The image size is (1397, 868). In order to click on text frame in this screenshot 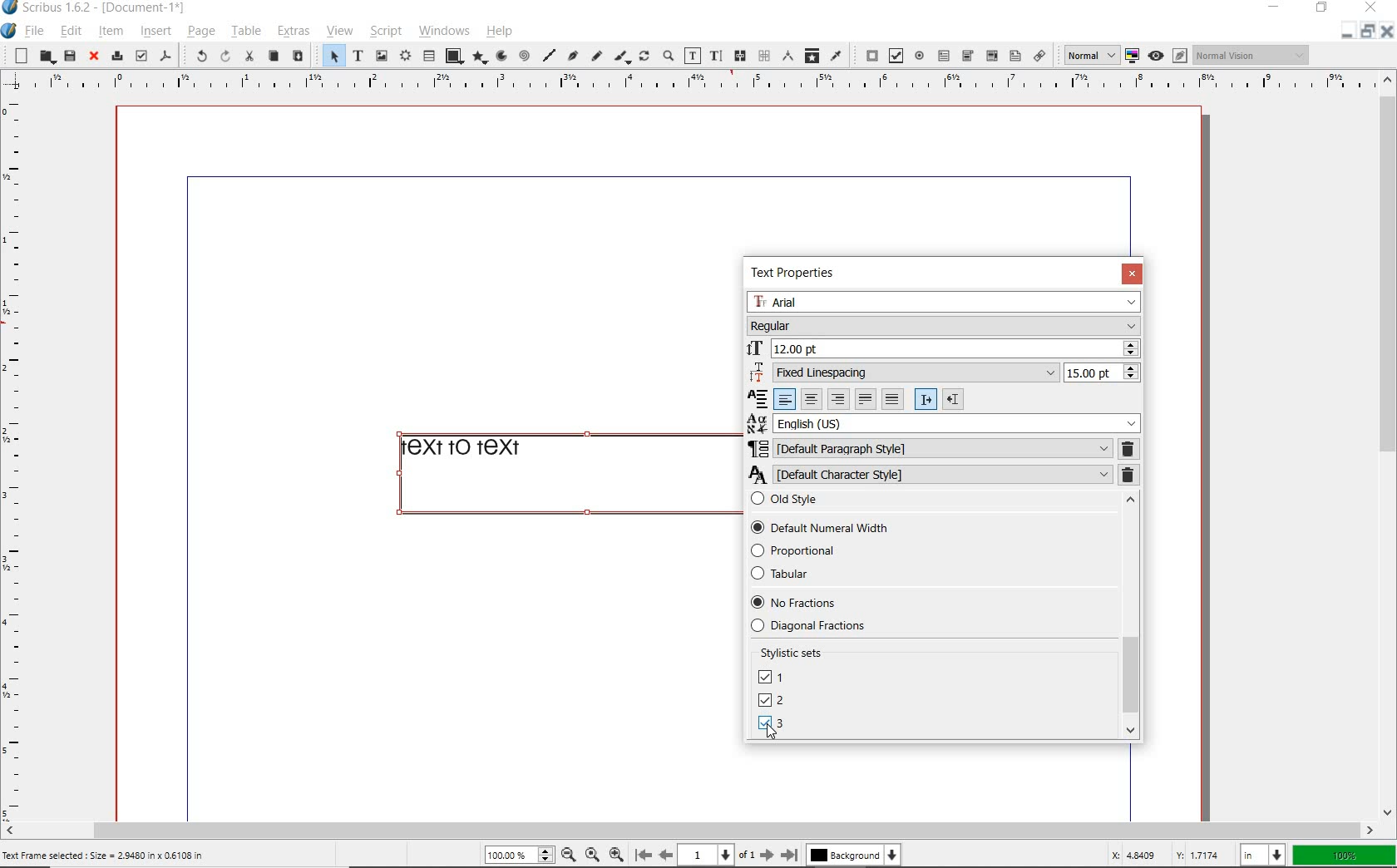, I will do `click(357, 57)`.